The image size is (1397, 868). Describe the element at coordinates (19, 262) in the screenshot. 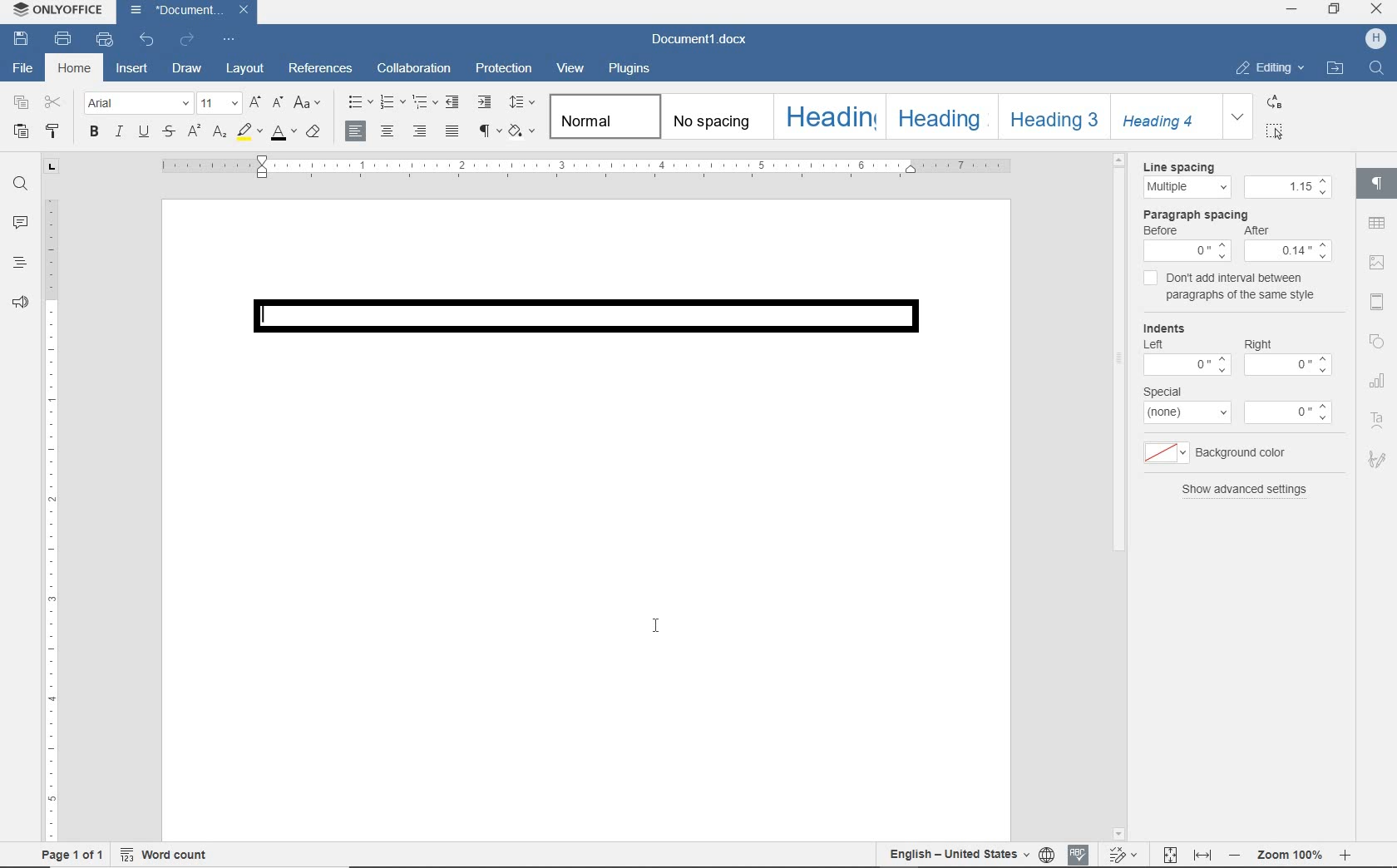

I see `headings` at that location.